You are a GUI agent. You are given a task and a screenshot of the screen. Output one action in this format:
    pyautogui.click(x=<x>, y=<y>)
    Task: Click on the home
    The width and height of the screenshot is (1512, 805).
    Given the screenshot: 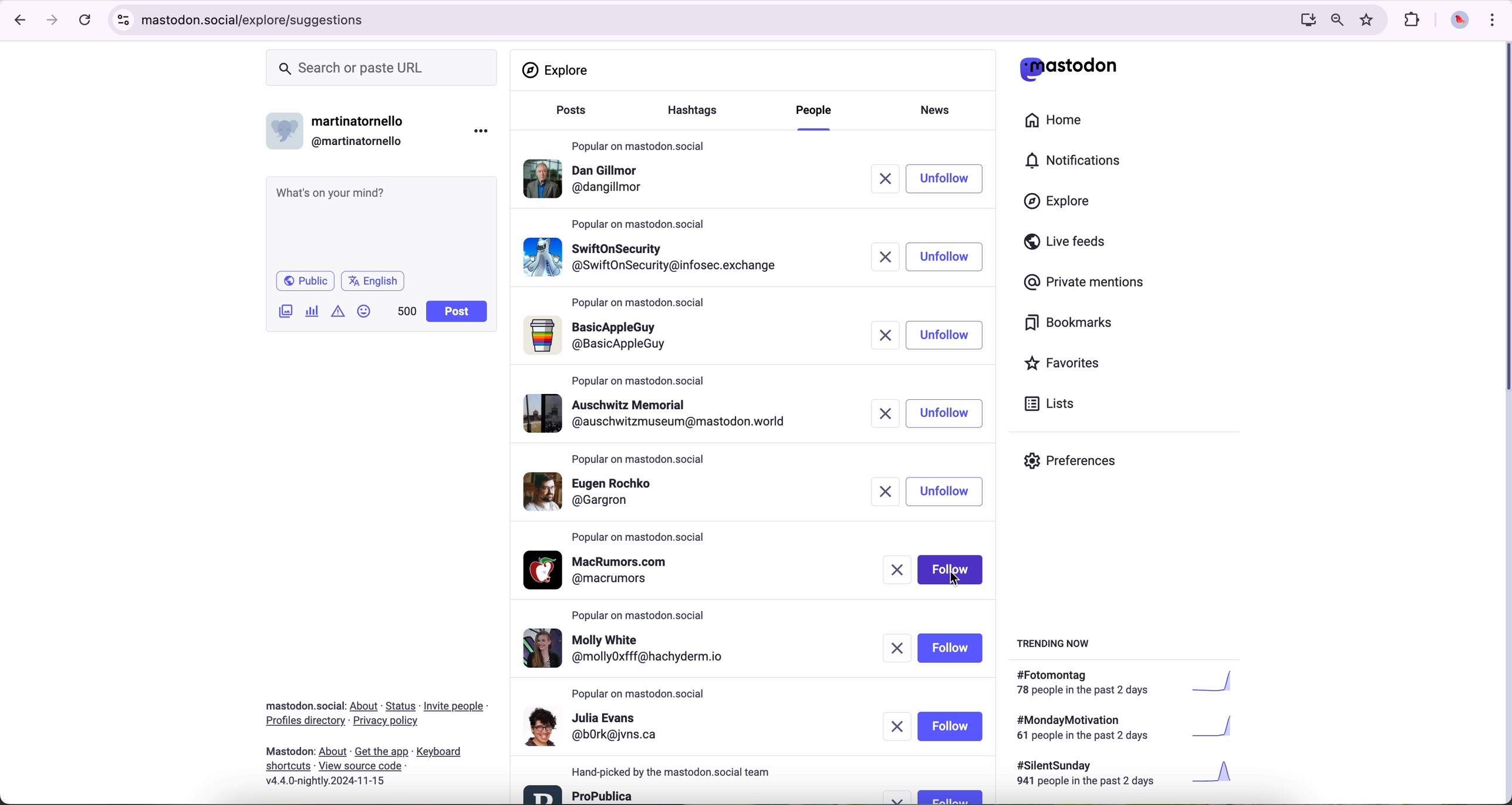 What is the action you would take?
    pyautogui.click(x=1060, y=123)
    